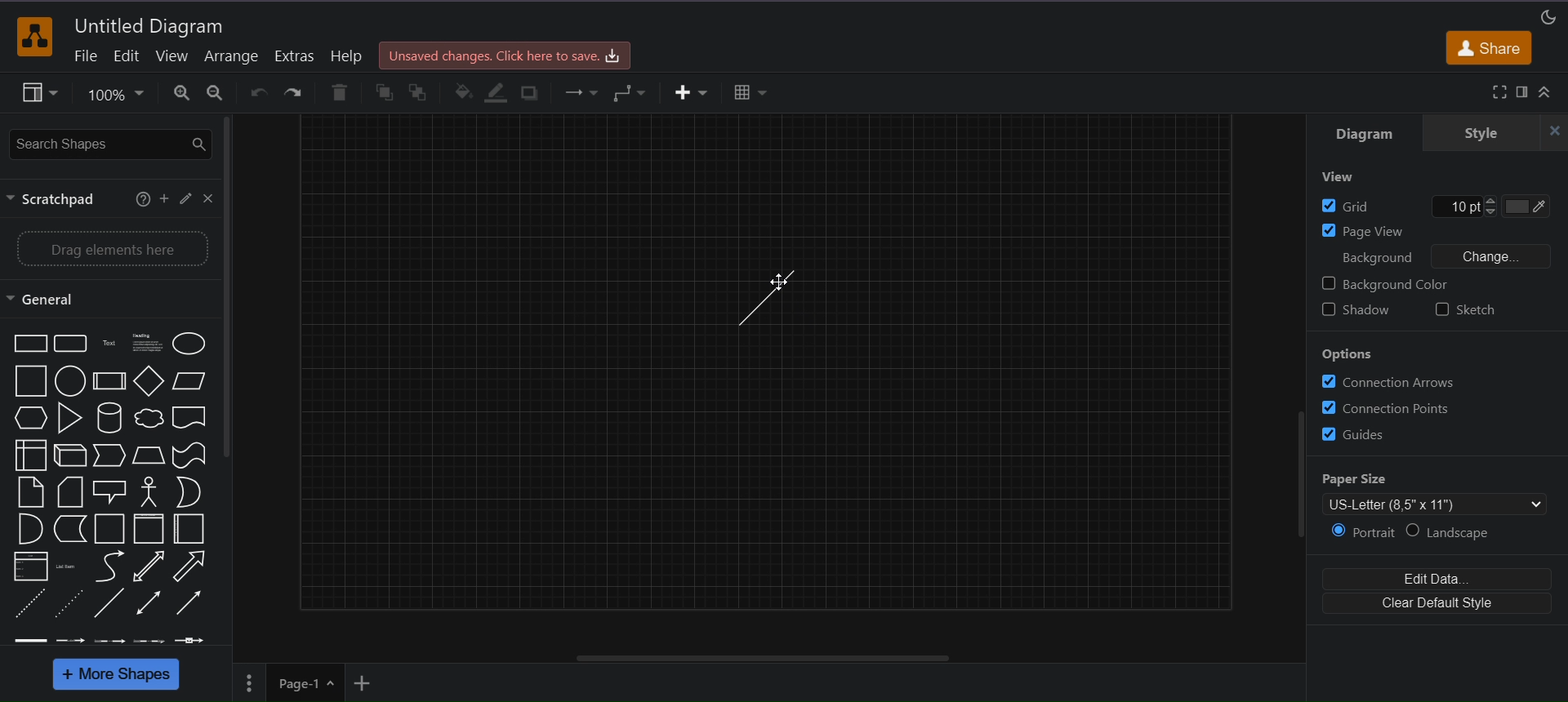  I want to click on insert page, so click(363, 683).